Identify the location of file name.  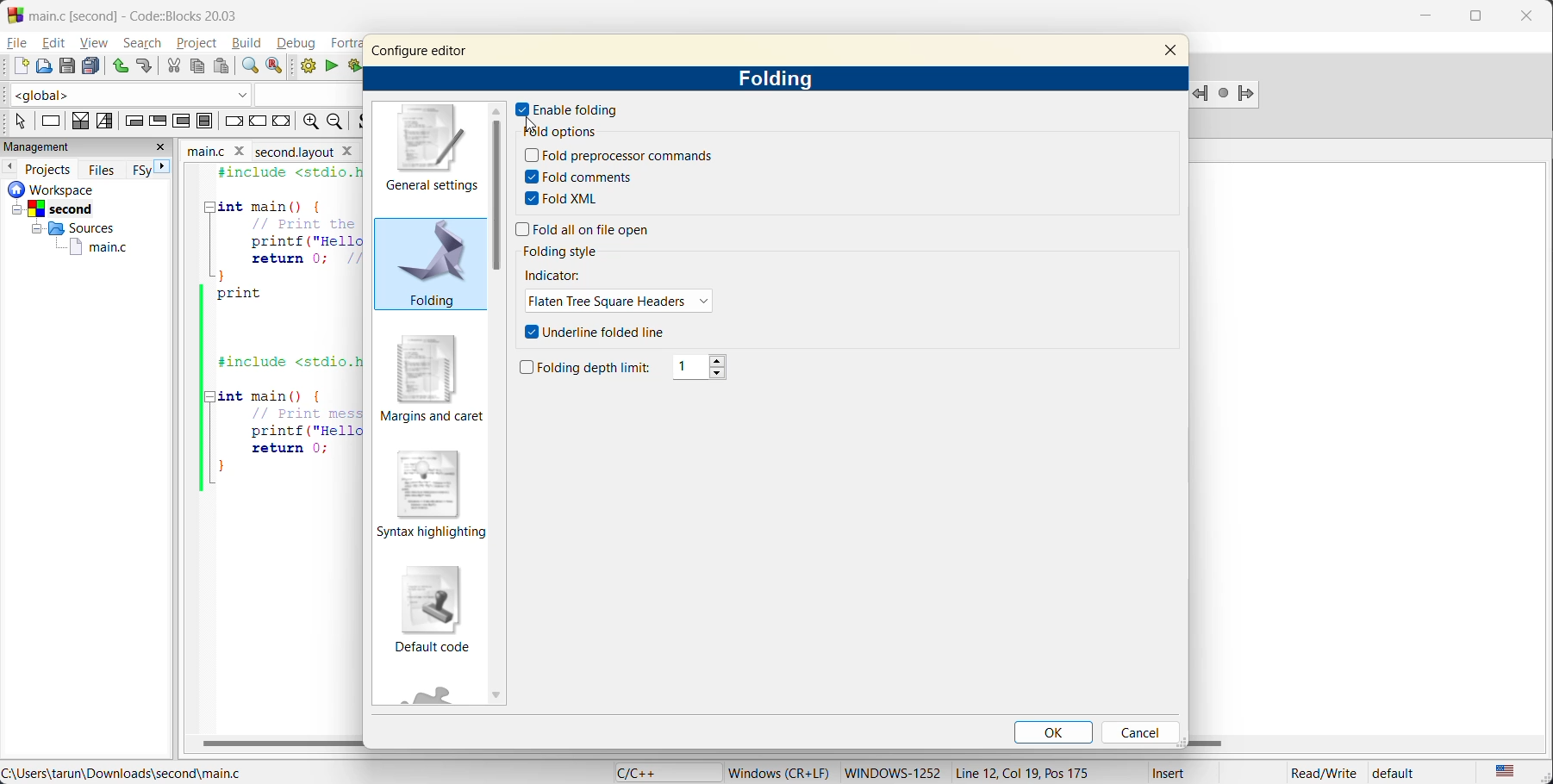
(219, 149).